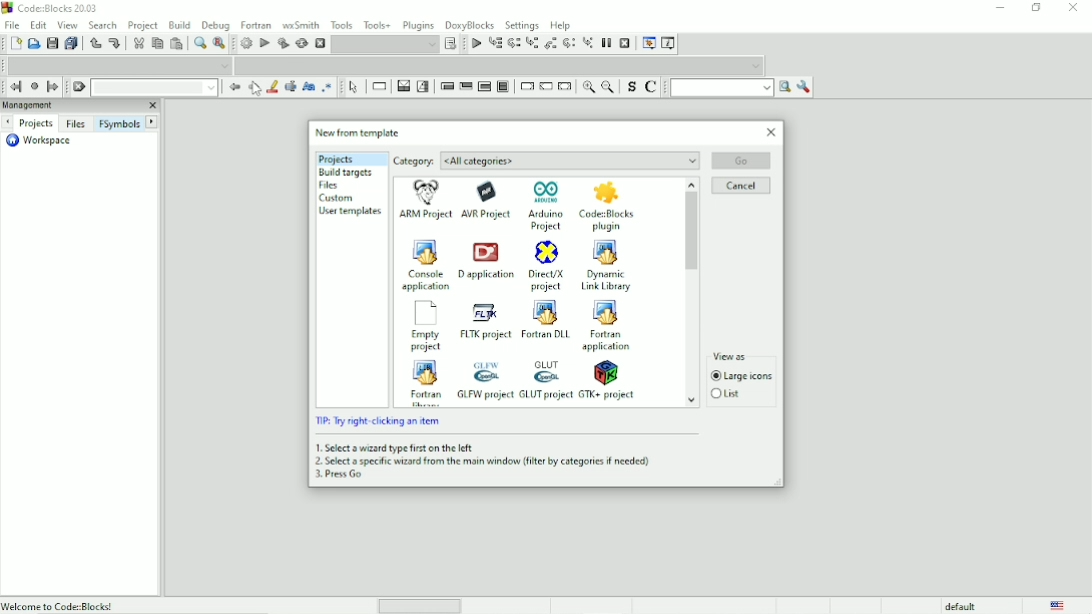 The image size is (1092, 614). I want to click on Dynamic link library, so click(607, 266).